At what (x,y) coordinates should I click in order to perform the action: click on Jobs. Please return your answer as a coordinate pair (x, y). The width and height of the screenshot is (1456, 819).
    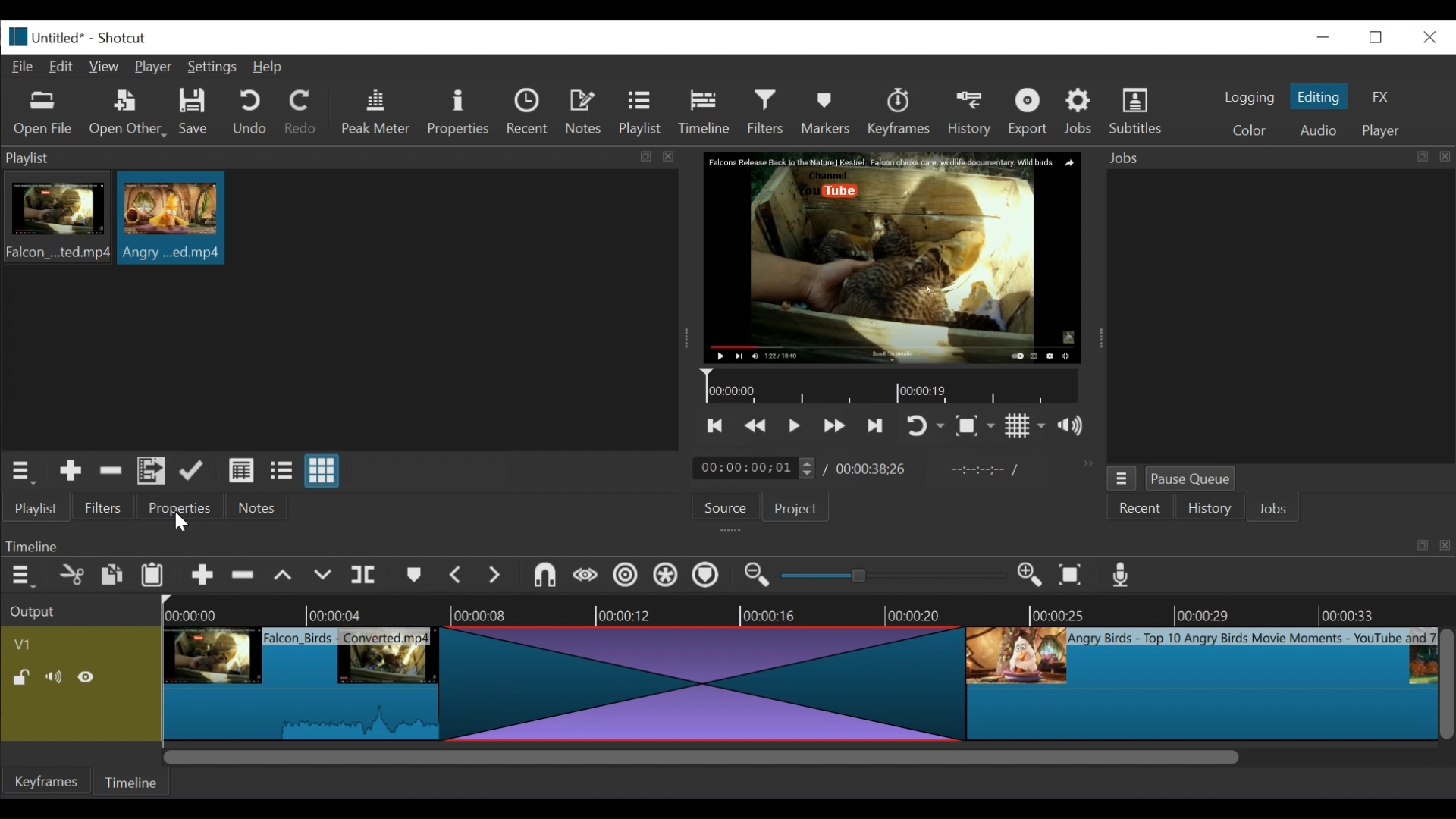
    Looking at the image, I should click on (1081, 111).